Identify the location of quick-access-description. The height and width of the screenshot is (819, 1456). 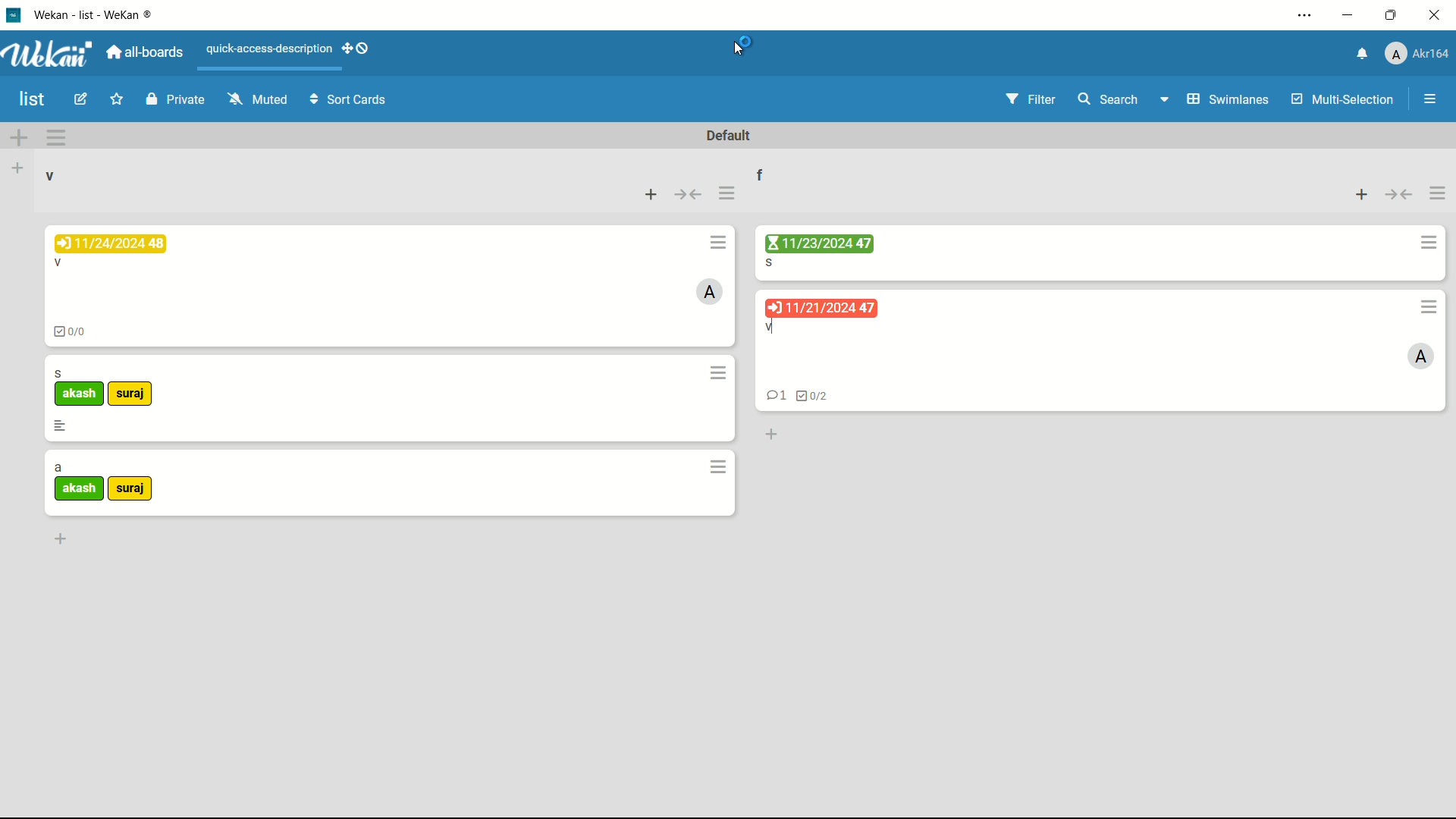
(271, 49).